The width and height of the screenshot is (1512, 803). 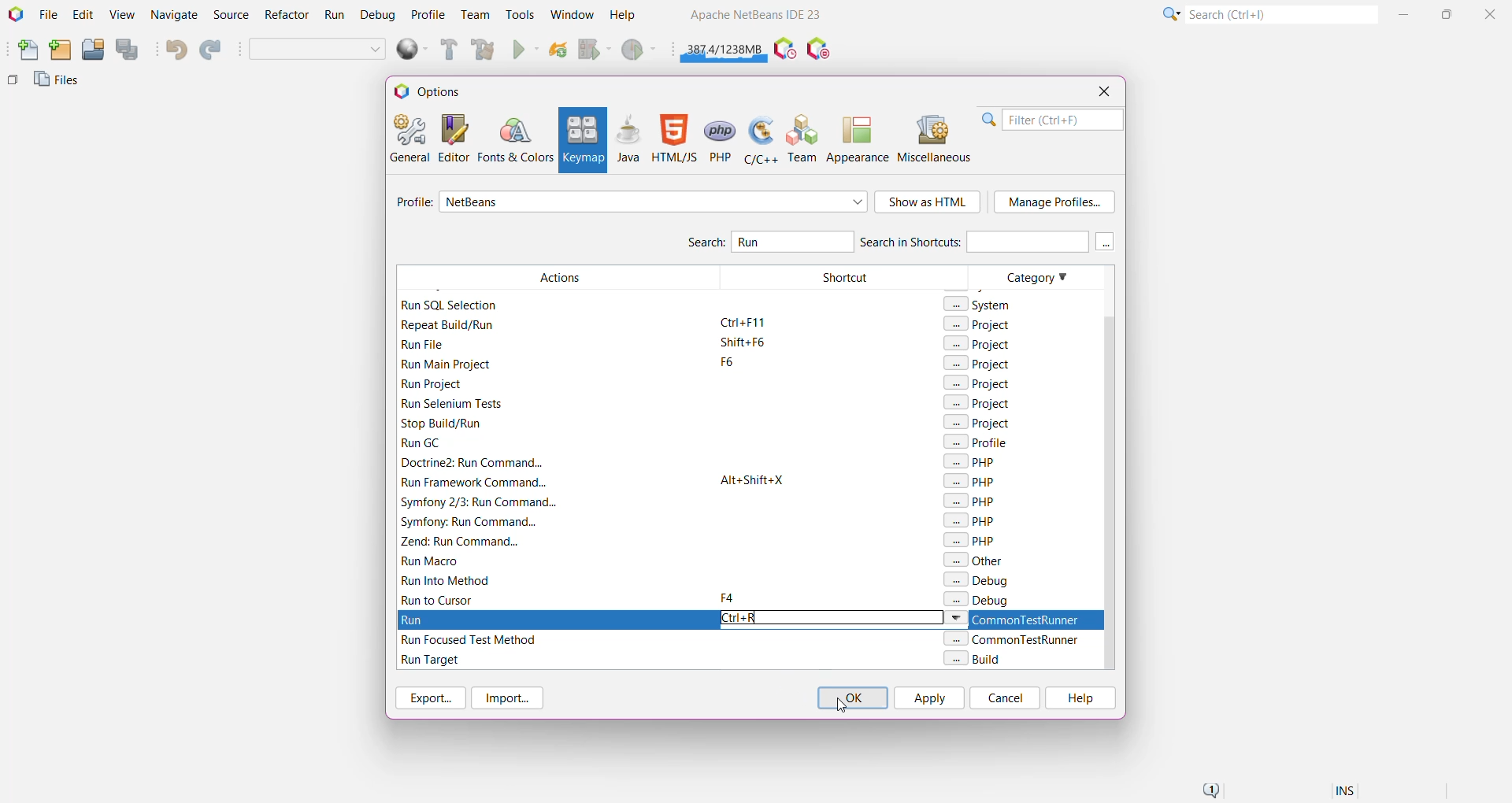 I want to click on Filtered Actions with Run keyword, so click(x=557, y=435).